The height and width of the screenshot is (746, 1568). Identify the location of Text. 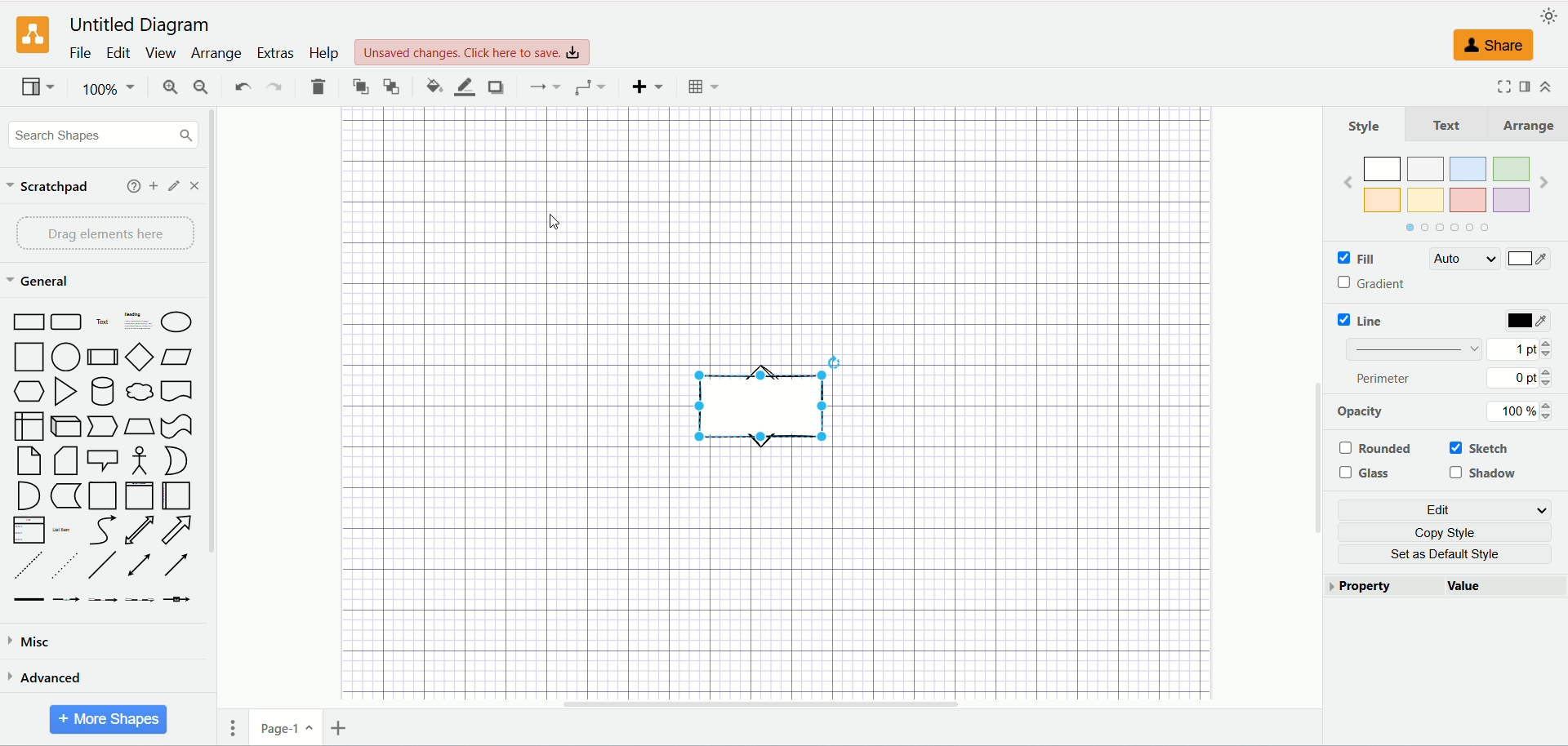
(1447, 124).